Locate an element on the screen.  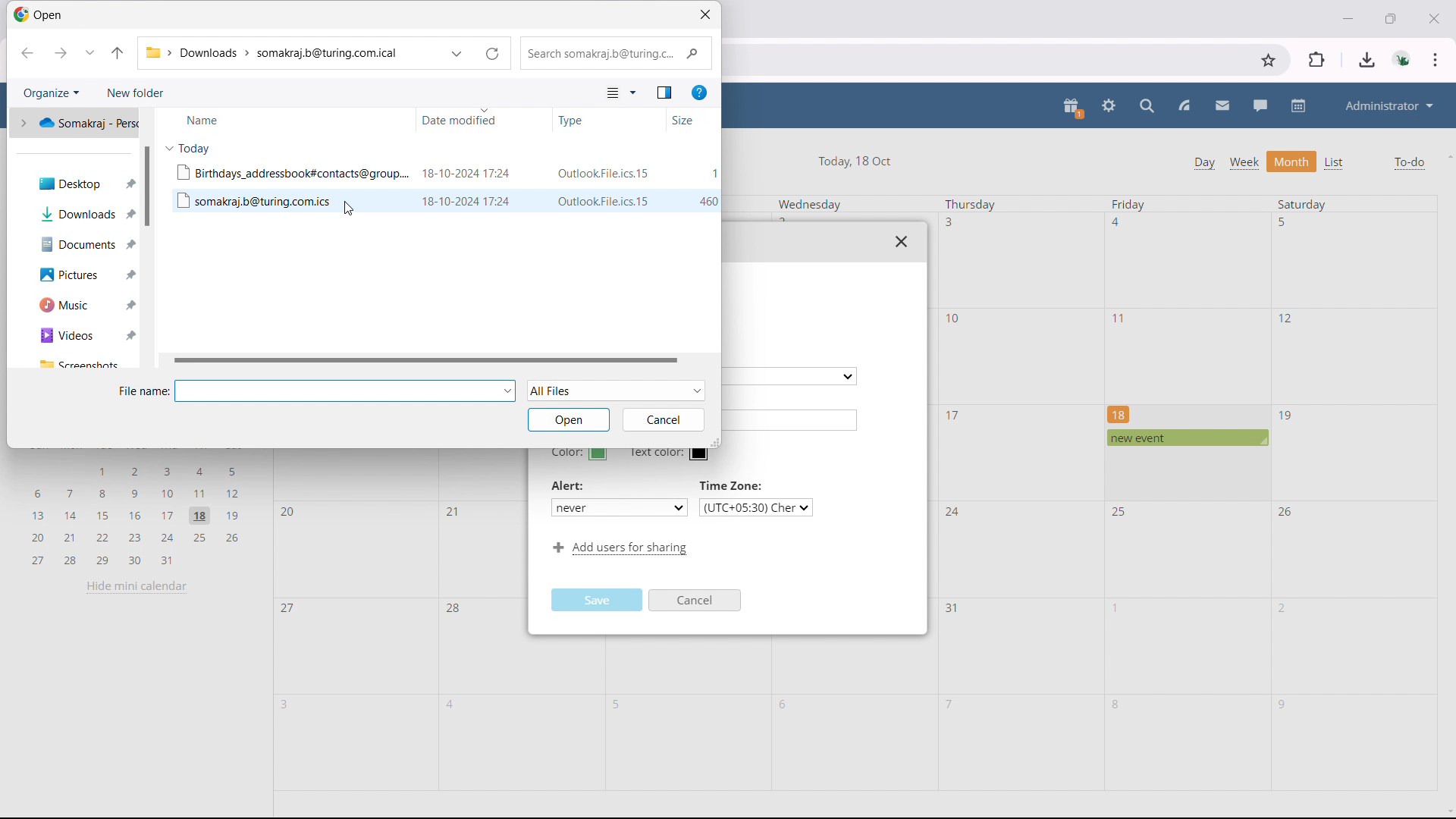
day is located at coordinates (1203, 163).